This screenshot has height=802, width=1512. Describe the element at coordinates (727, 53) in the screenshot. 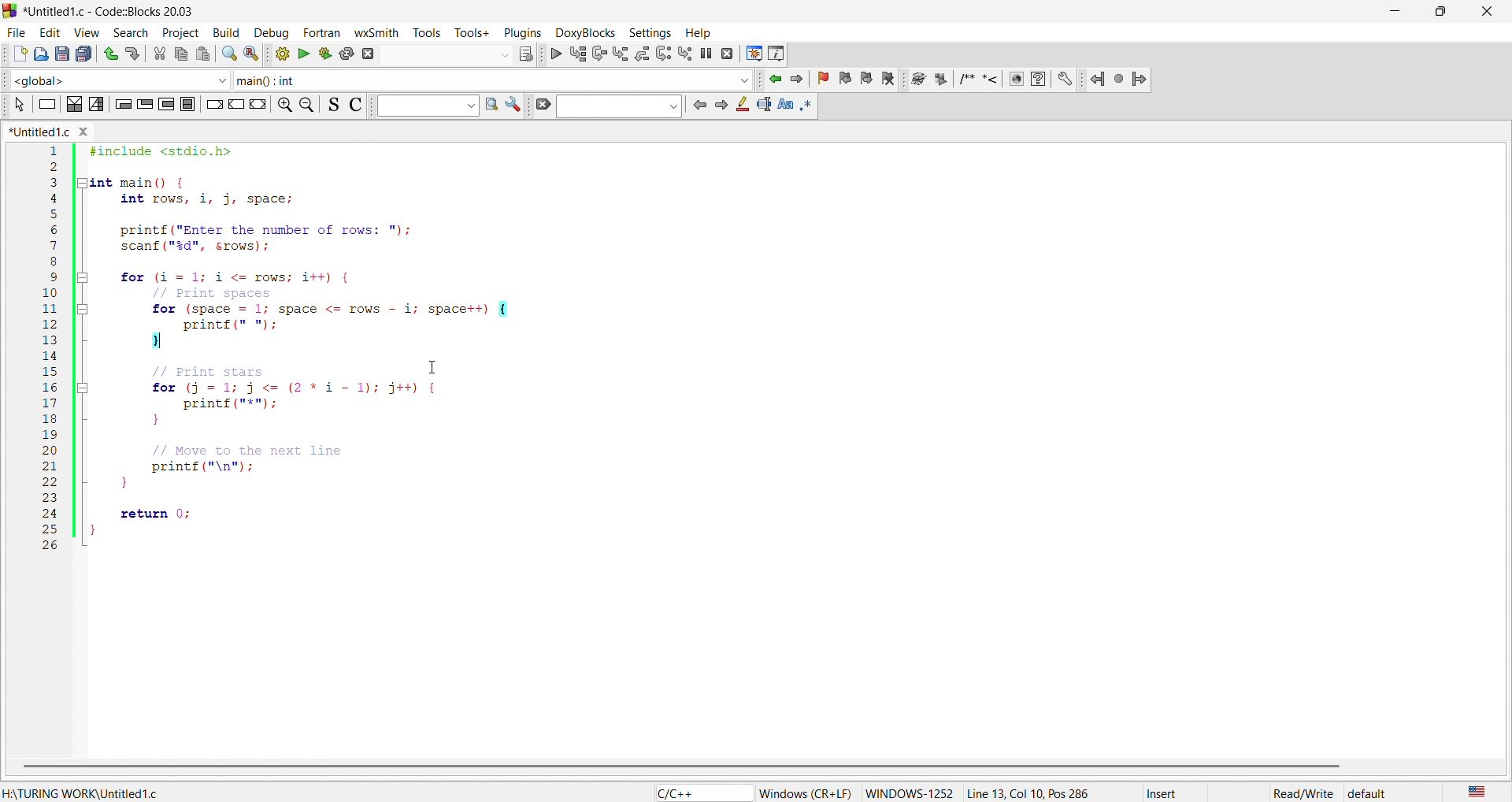

I see `stop debugging` at that location.